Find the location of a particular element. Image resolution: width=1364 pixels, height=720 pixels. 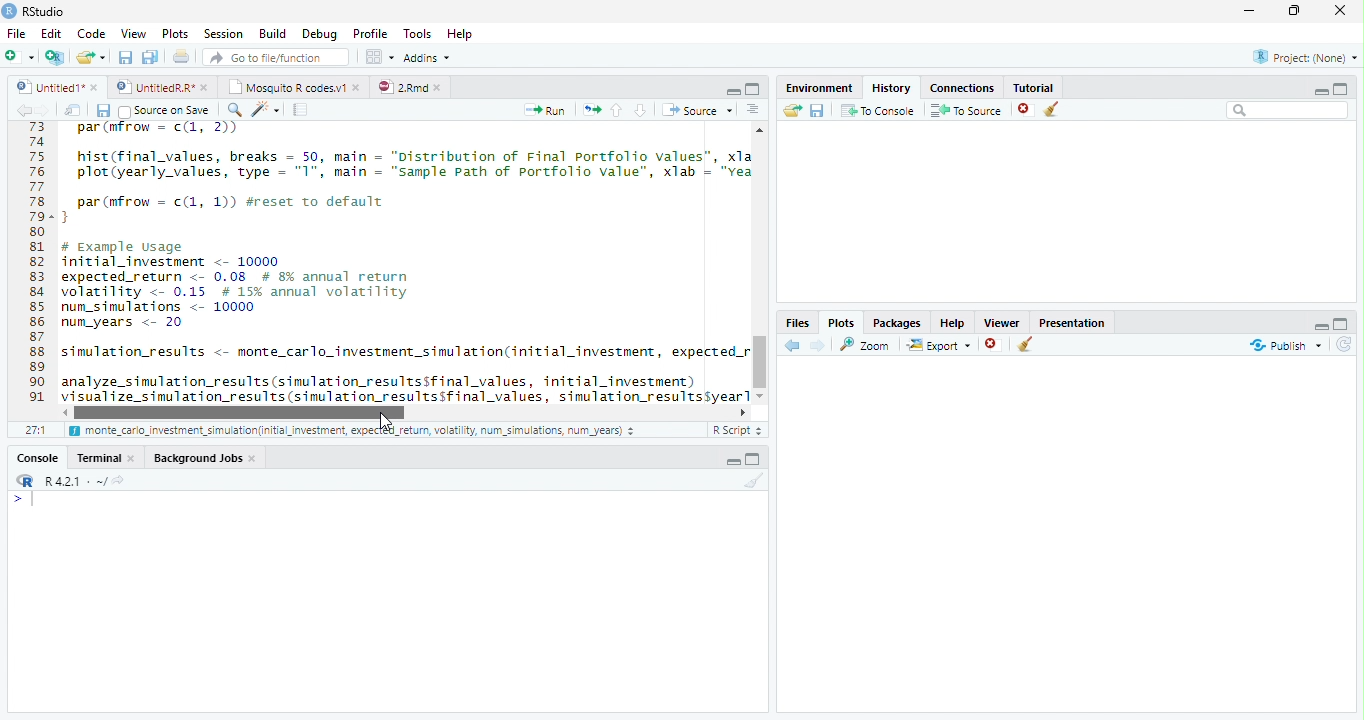

Mouse Cursor is located at coordinates (386, 424).